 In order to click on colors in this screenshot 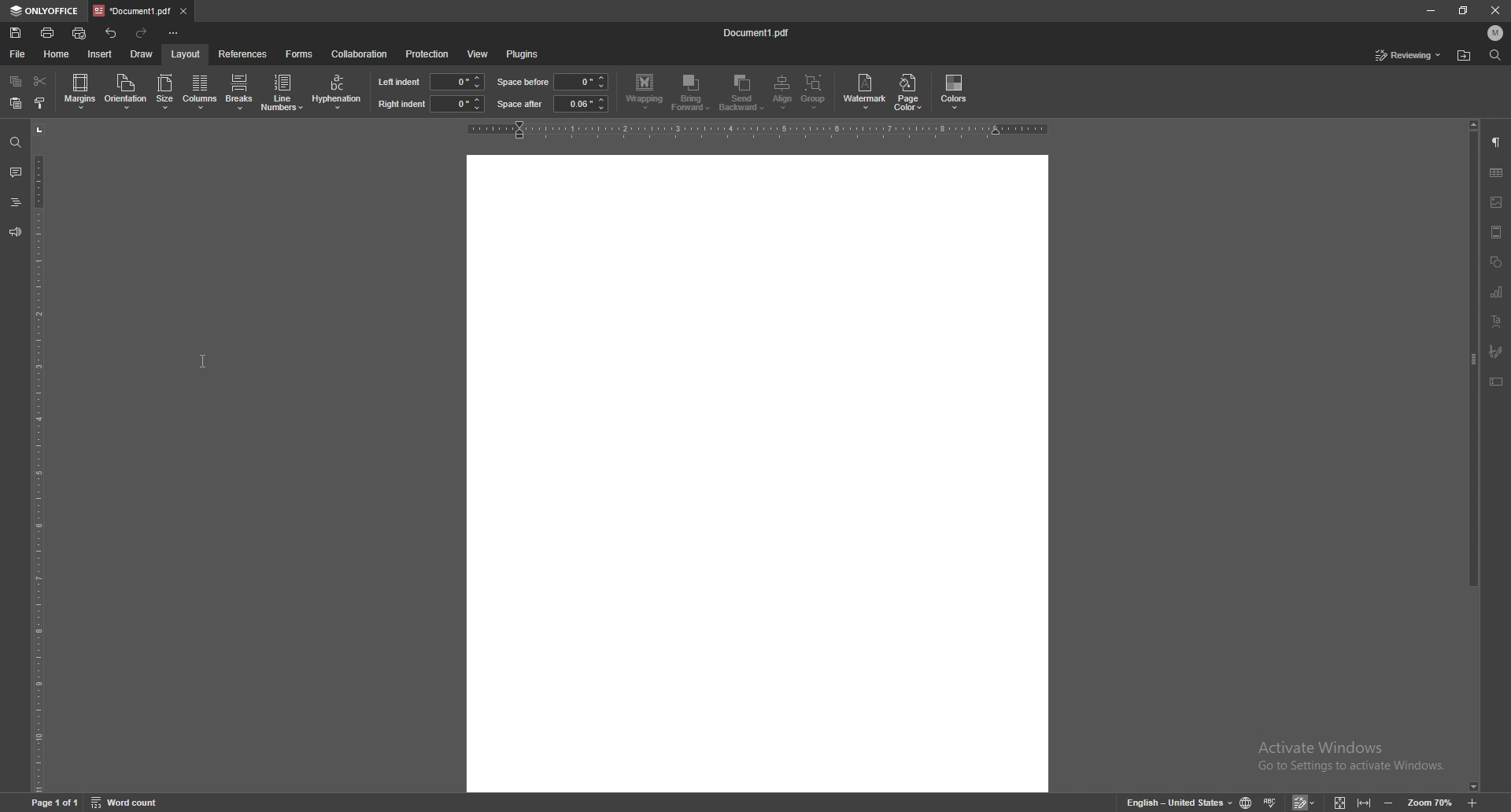, I will do `click(955, 92)`.